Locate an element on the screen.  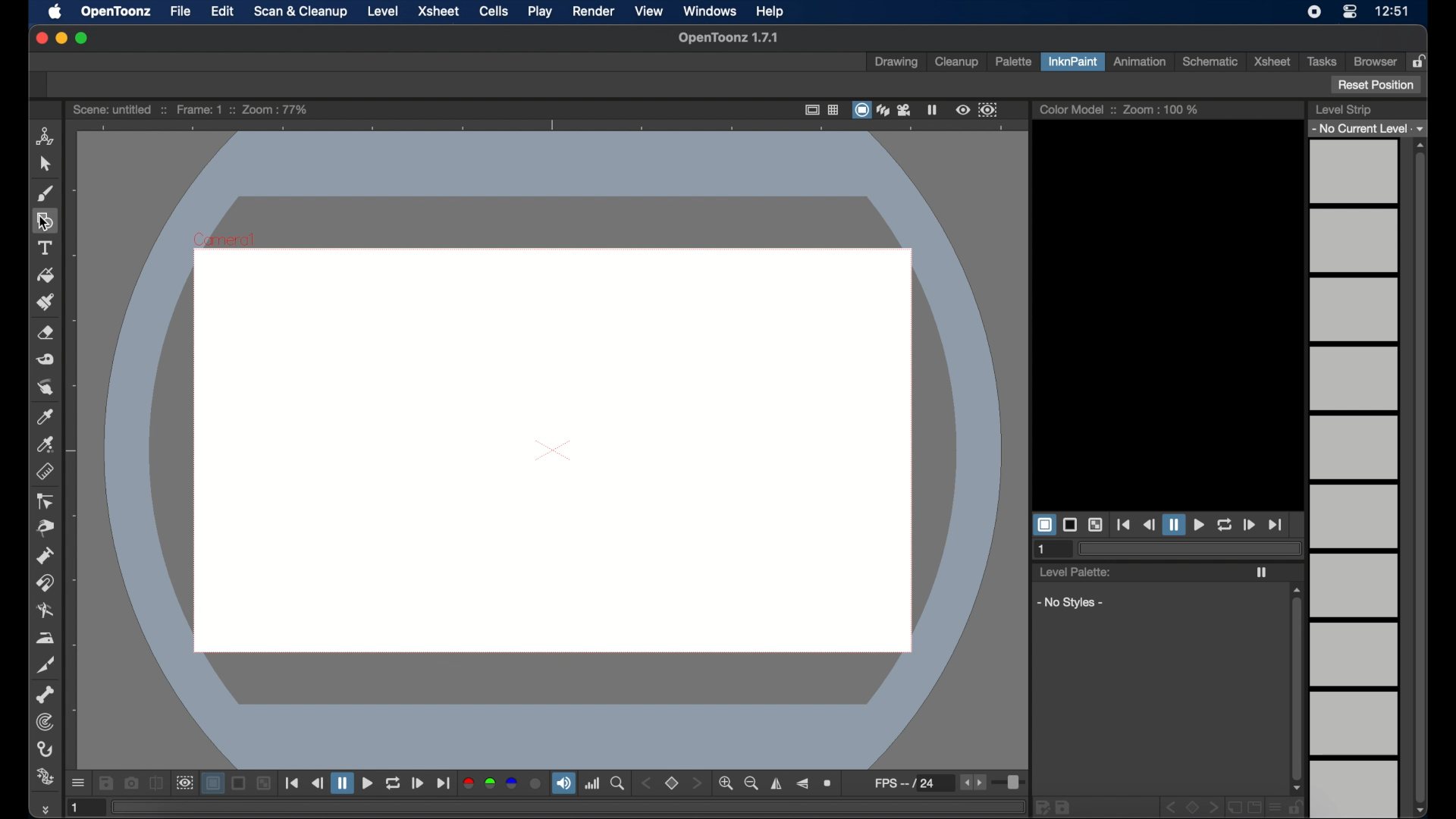
close is located at coordinates (40, 39).